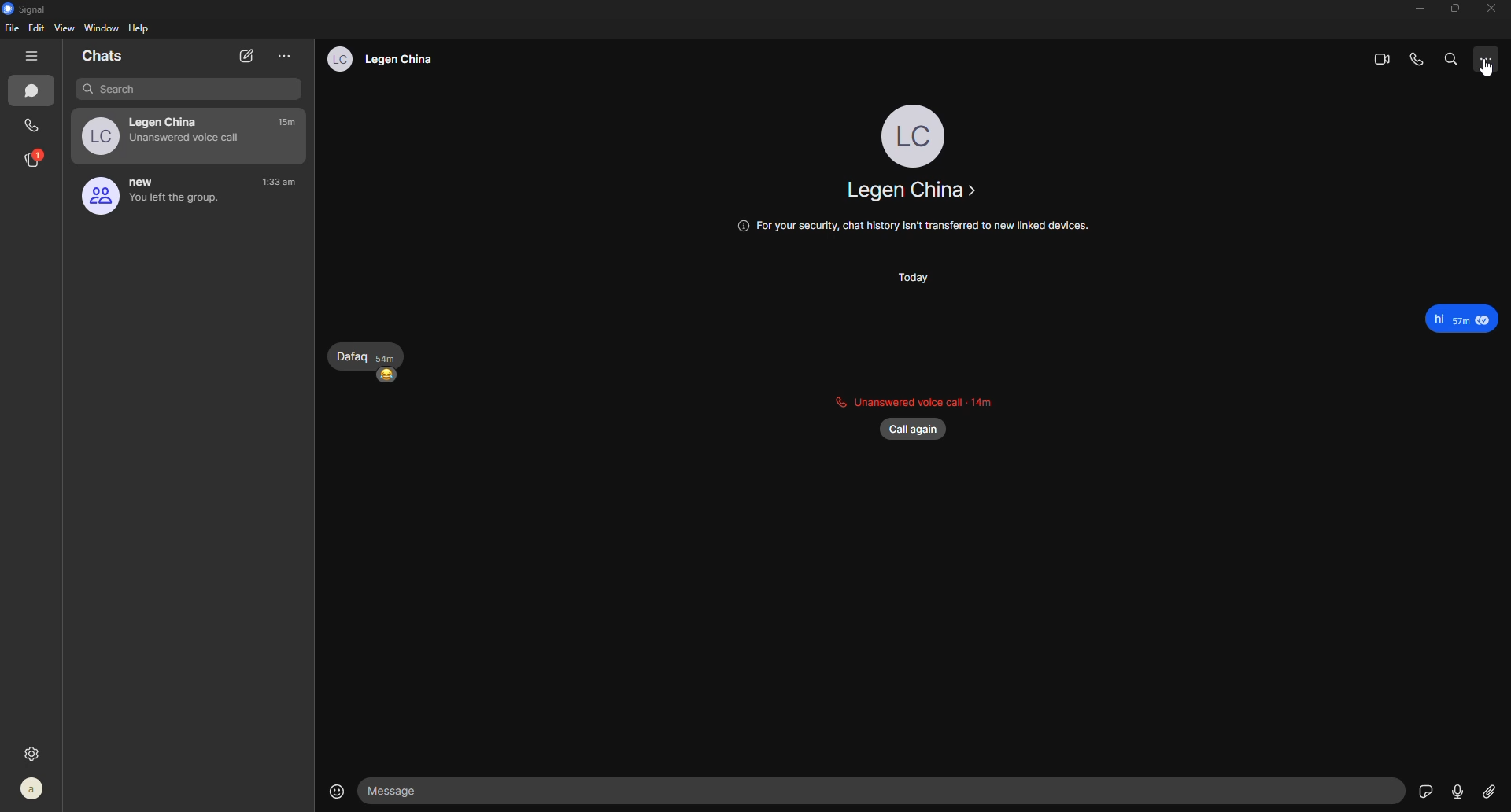  What do you see at coordinates (1450, 59) in the screenshot?
I see `search` at bounding box center [1450, 59].